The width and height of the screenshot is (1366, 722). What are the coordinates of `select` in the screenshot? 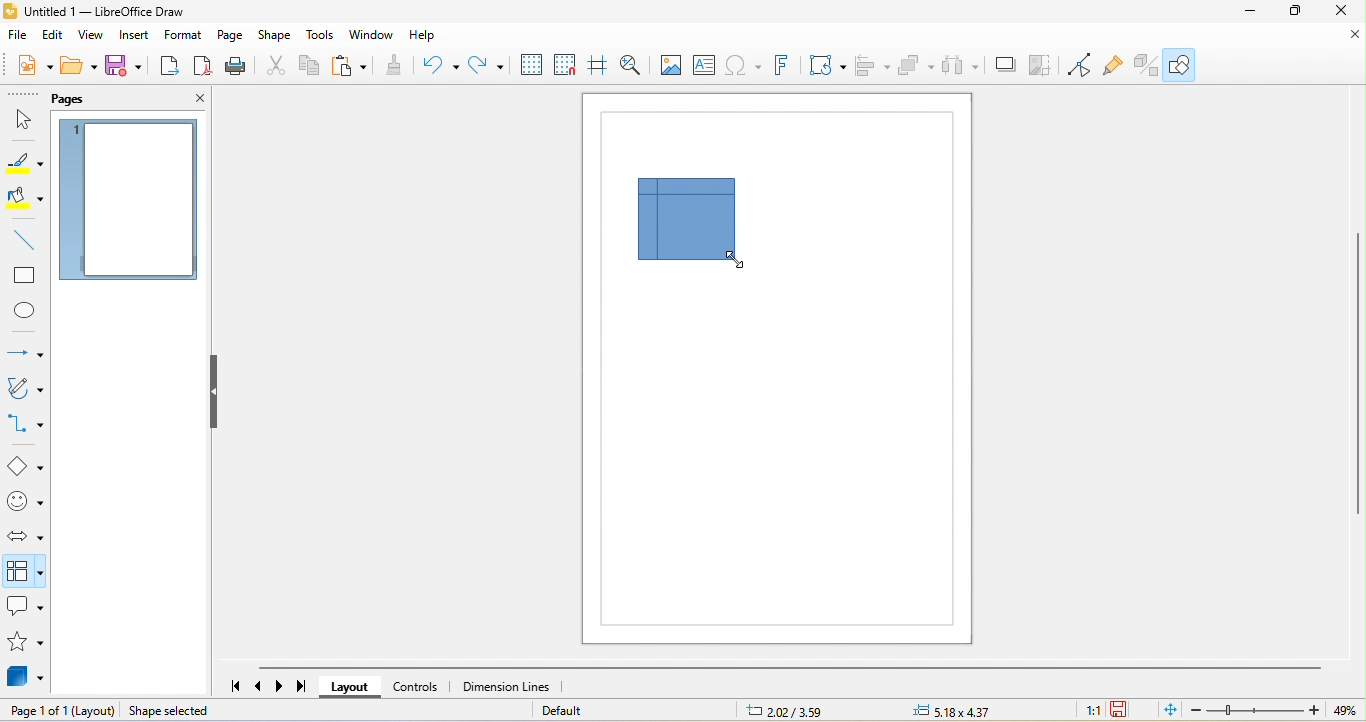 It's located at (24, 120).